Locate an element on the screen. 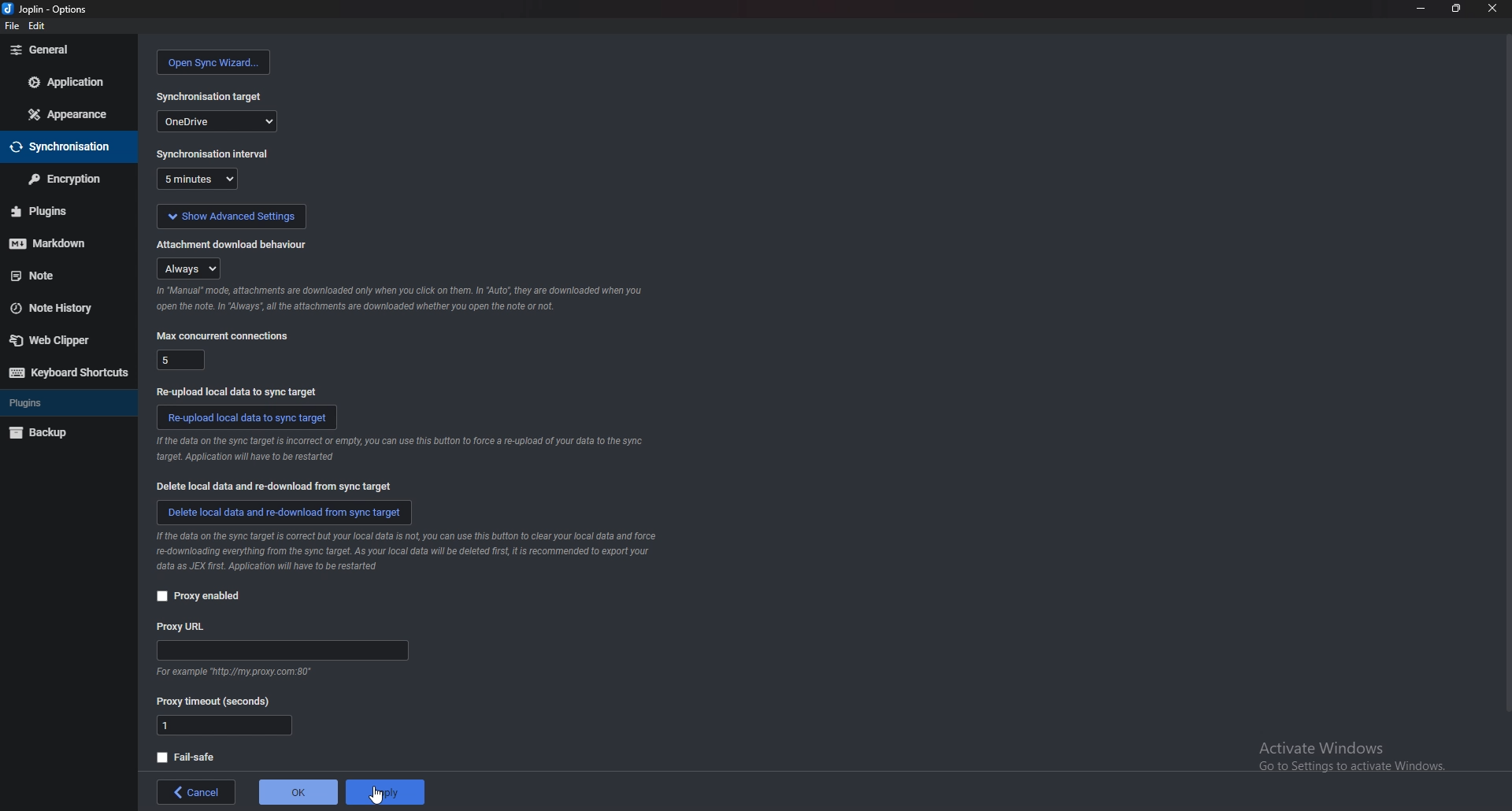 Image resolution: width=1512 pixels, height=811 pixels. delete local data and redownload is located at coordinates (283, 513).